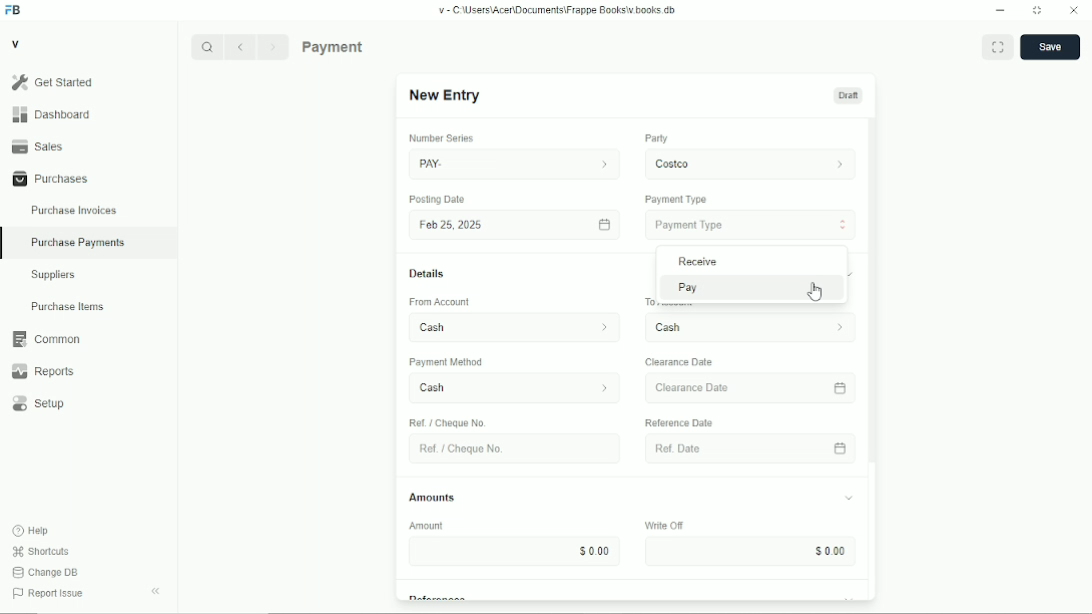  I want to click on Purchase Payments, so click(89, 244).